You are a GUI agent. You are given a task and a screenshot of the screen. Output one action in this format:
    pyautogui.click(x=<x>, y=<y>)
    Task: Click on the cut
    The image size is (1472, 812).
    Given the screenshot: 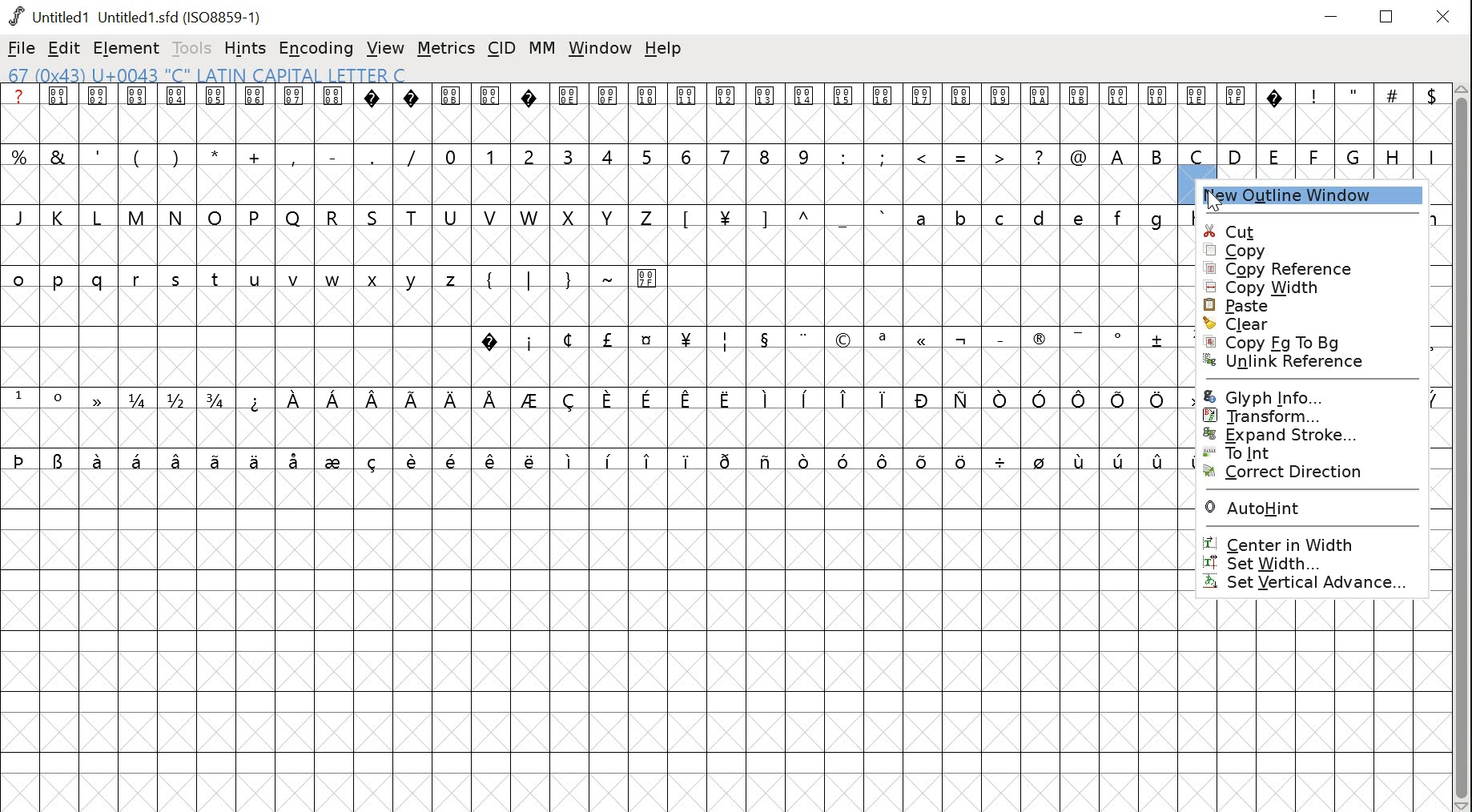 What is the action you would take?
    pyautogui.click(x=1321, y=232)
    